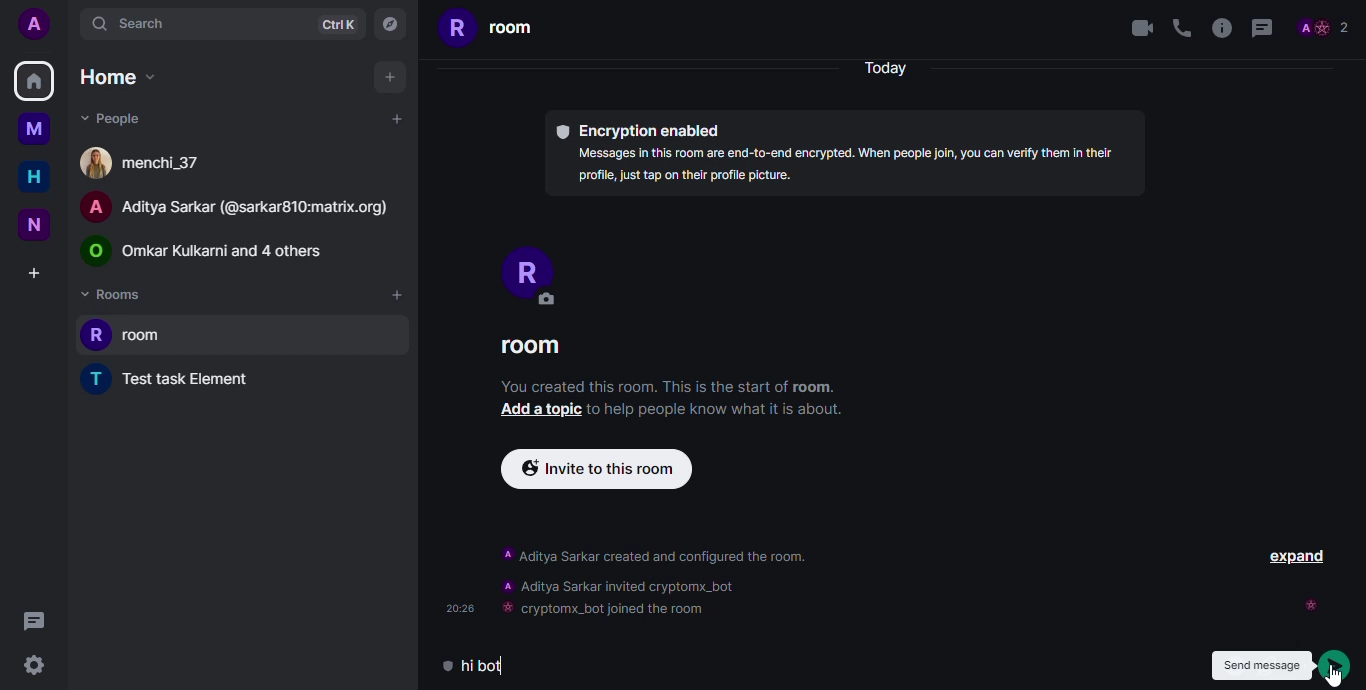  I want to click on voice call, so click(1183, 28).